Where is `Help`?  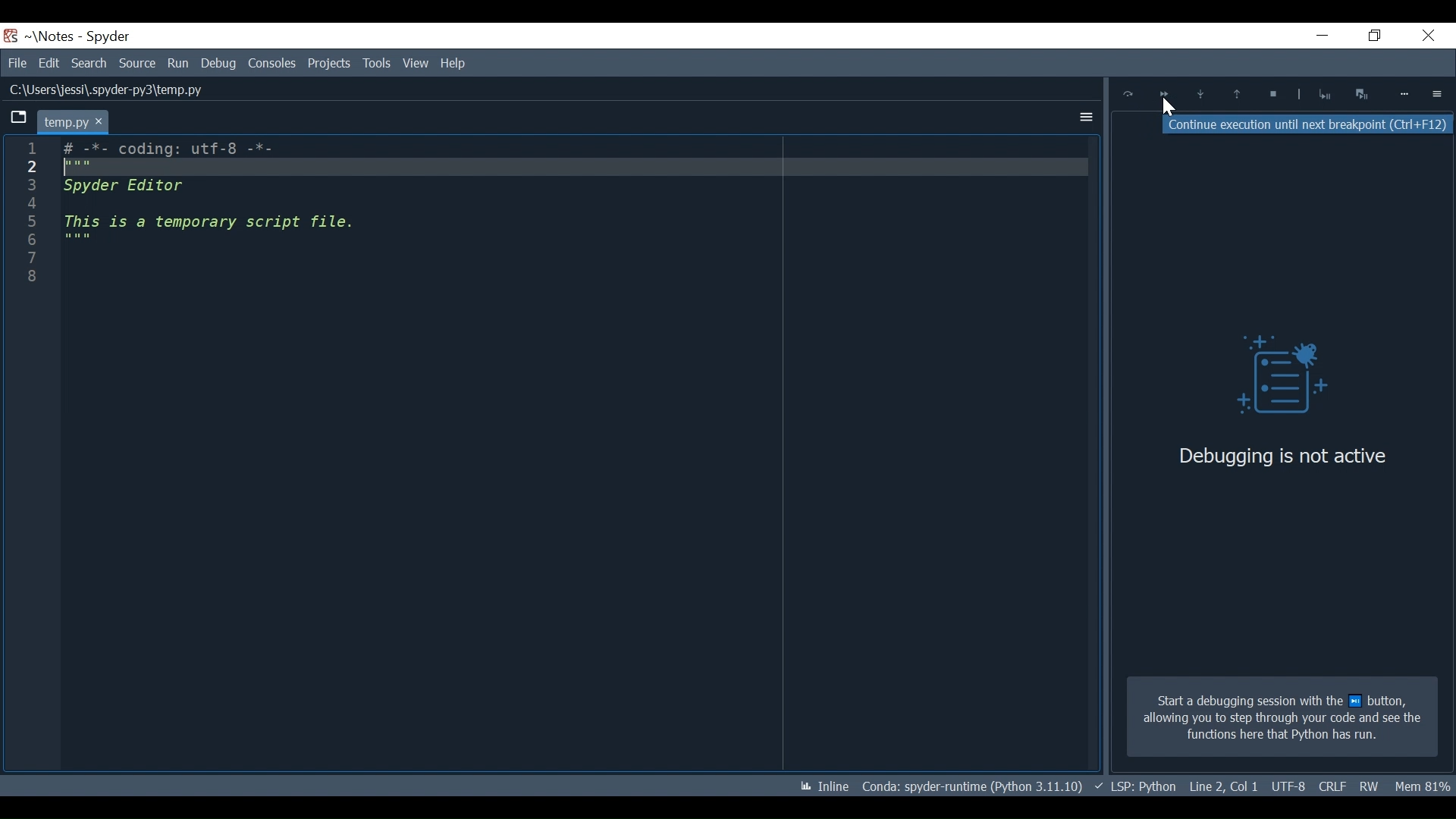
Help is located at coordinates (414, 64).